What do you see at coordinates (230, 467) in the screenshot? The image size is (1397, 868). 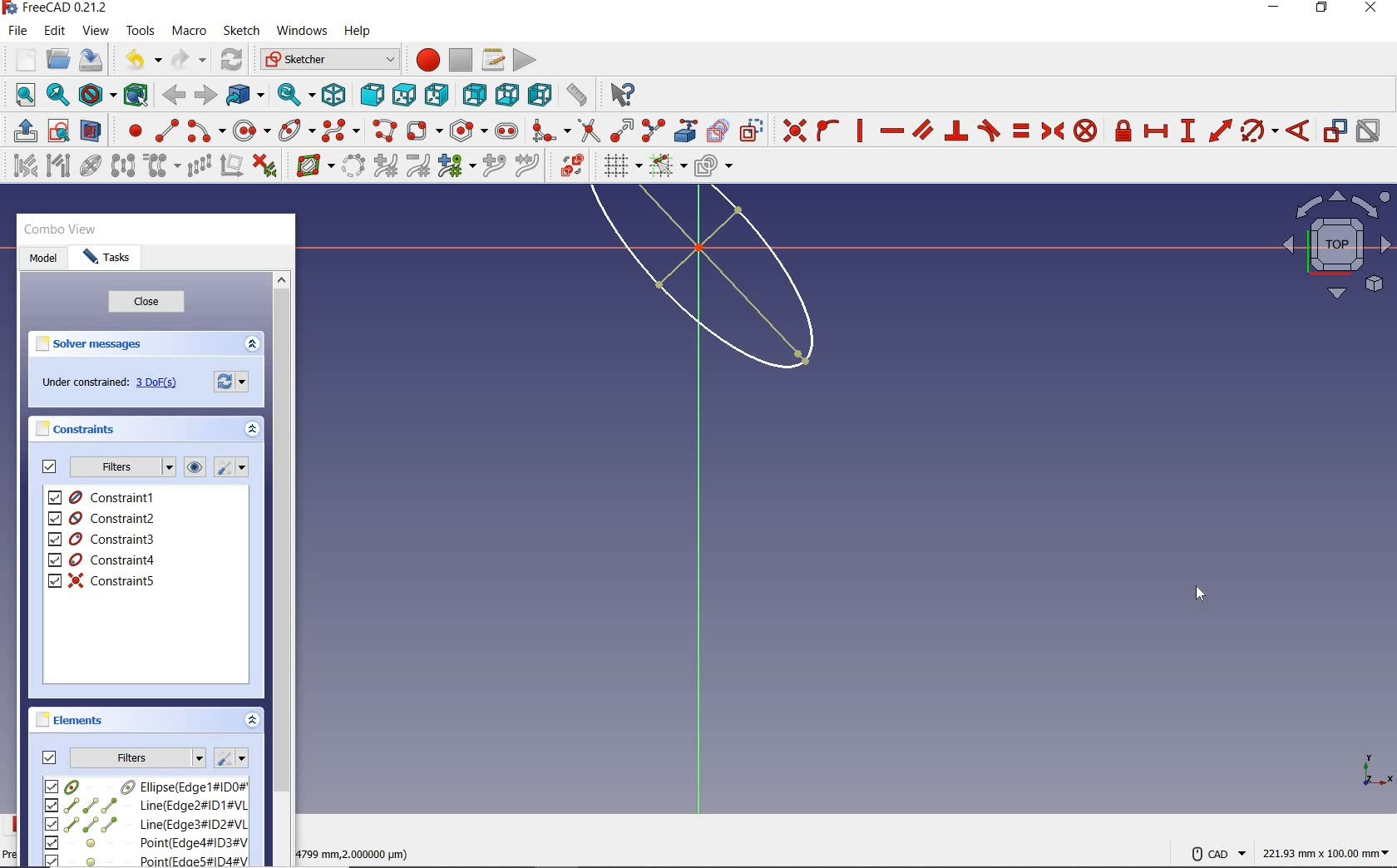 I see `settings` at bounding box center [230, 467].